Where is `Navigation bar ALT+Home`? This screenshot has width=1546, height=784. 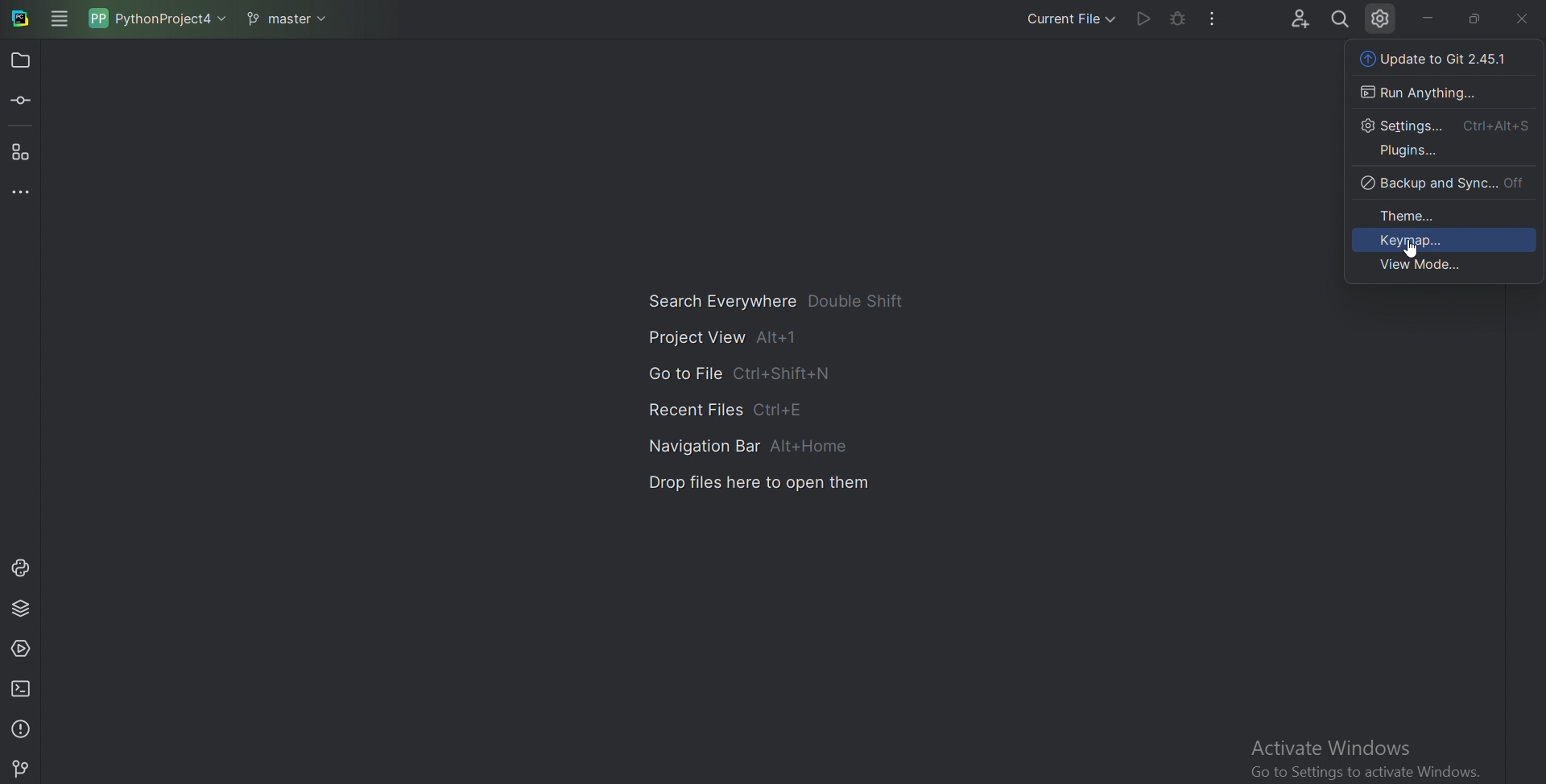 Navigation bar ALT+Home is located at coordinates (748, 440).